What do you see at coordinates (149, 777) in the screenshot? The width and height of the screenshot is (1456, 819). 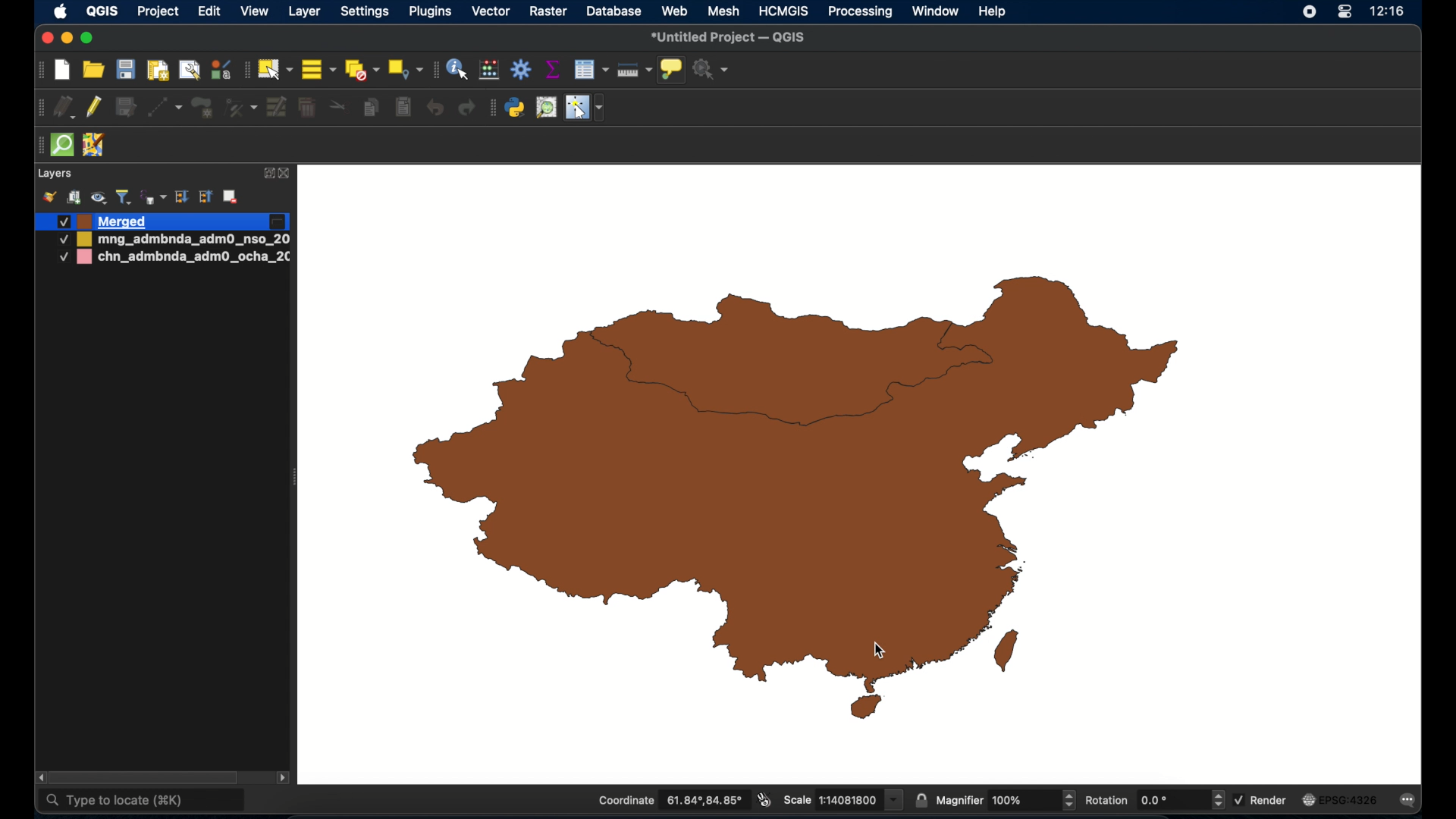 I see `scroll box` at bounding box center [149, 777].